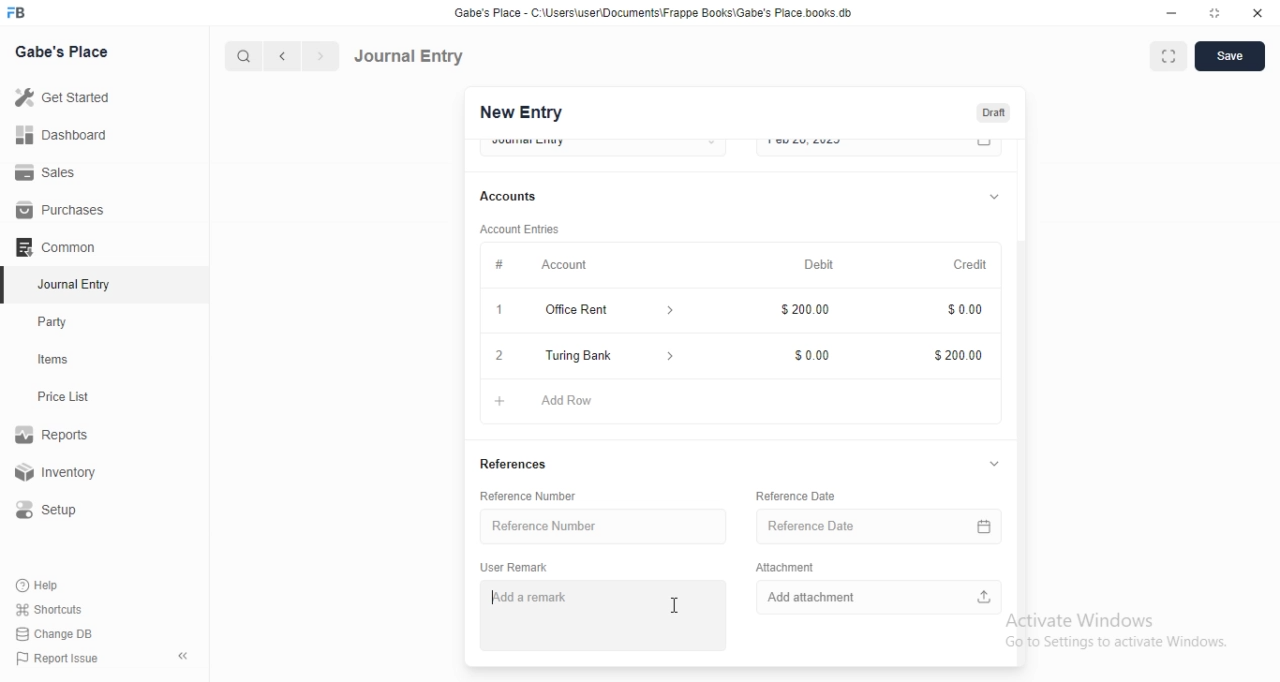 The height and width of the screenshot is (682, 1280). Describe the element at coordinates (733, 403) in the screenshot. I see `+ AddRow` at that location.